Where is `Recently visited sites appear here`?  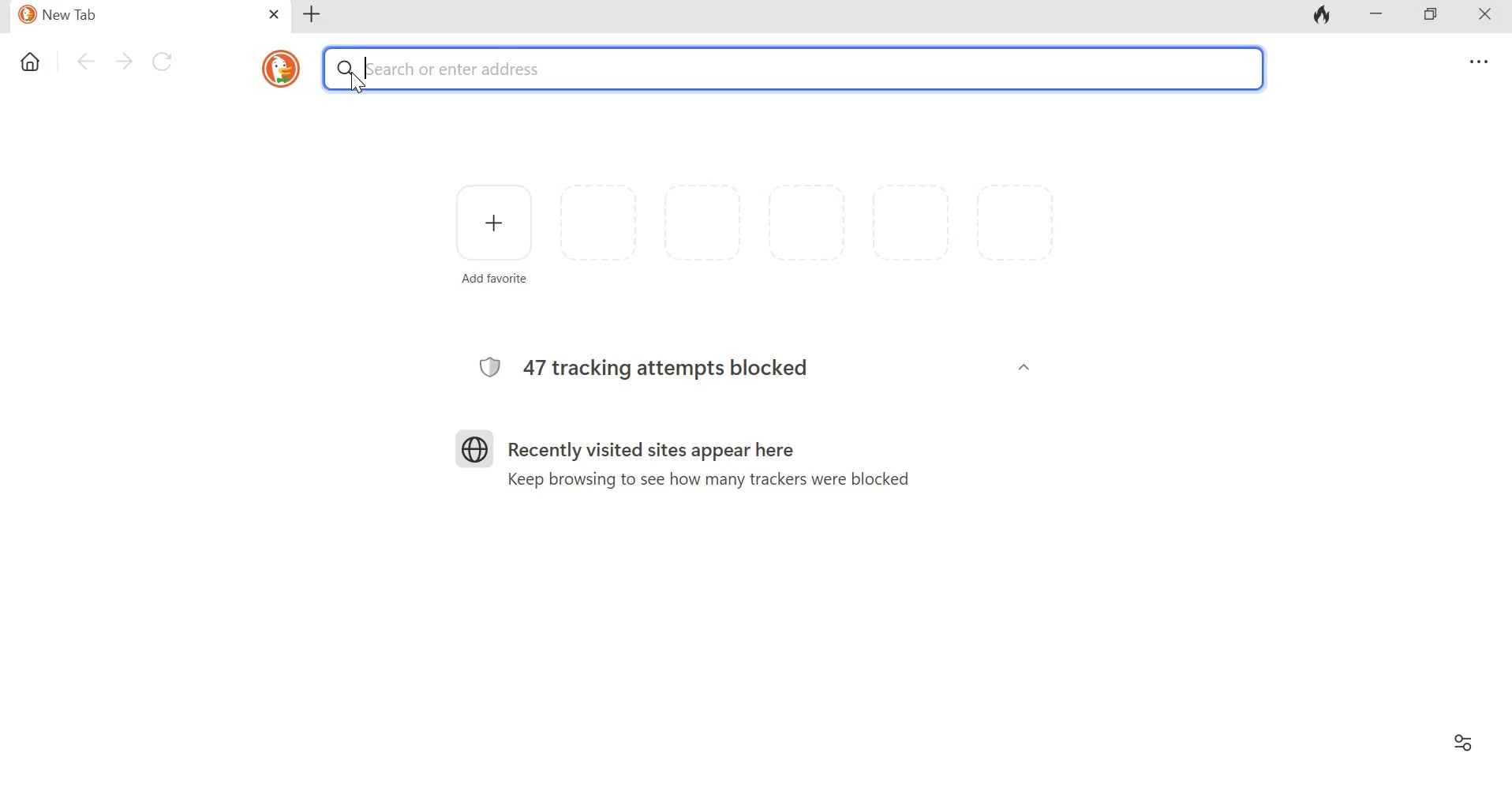 Recently visited sites appear here is located at coordinates (646, 440).